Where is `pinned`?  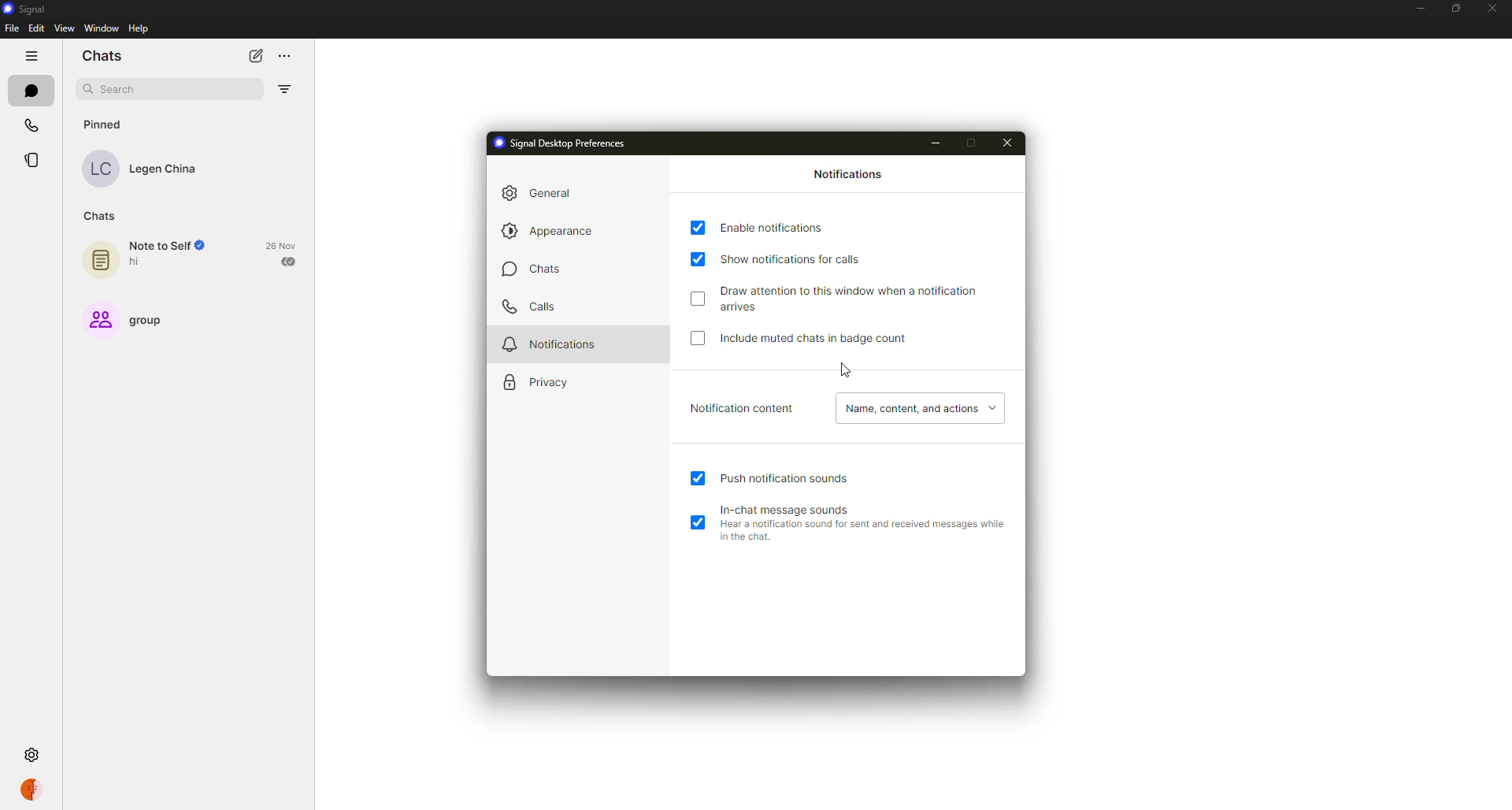 pinned is located at coordinates (106, 124).